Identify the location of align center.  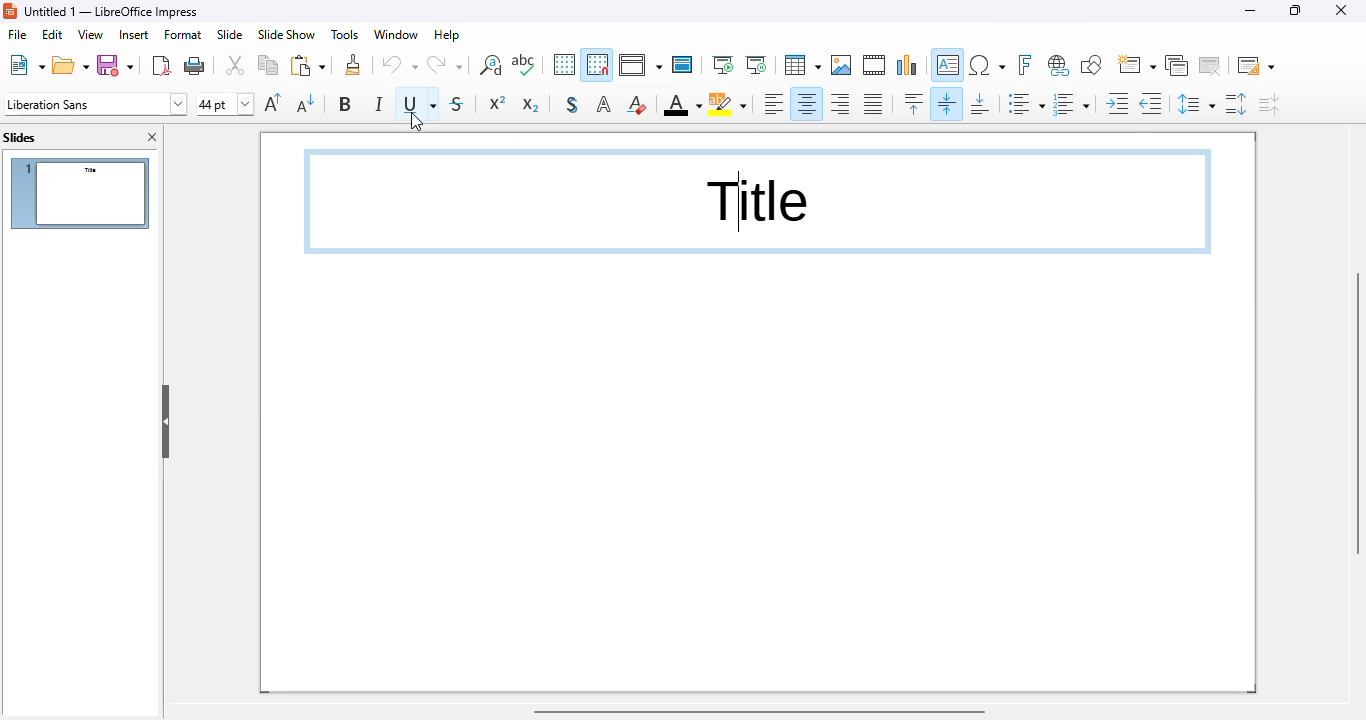
(807, 103).